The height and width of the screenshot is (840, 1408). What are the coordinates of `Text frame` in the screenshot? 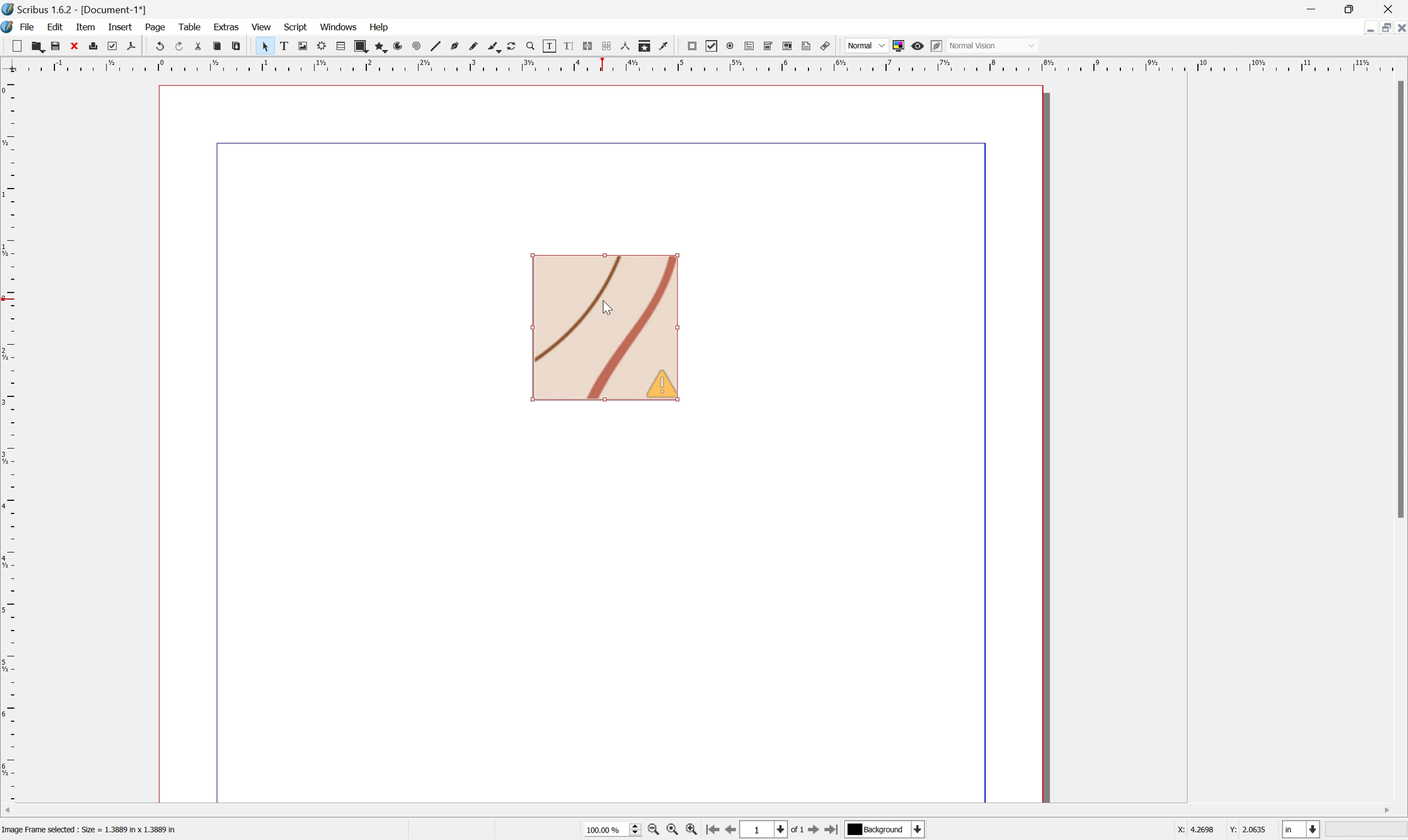 It's located at (289, 45).